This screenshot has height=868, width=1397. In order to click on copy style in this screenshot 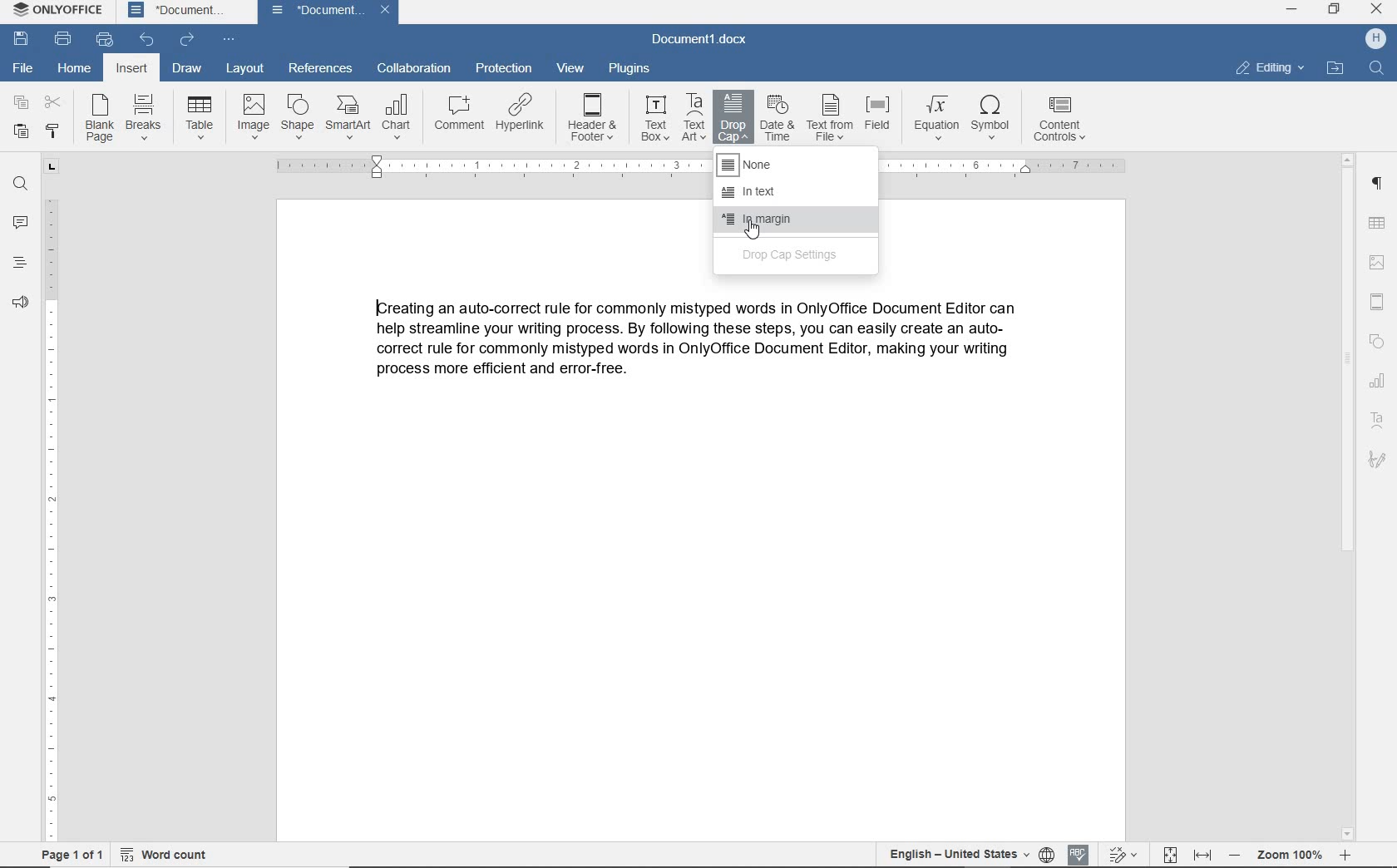, I will do `click(52, 131)`.